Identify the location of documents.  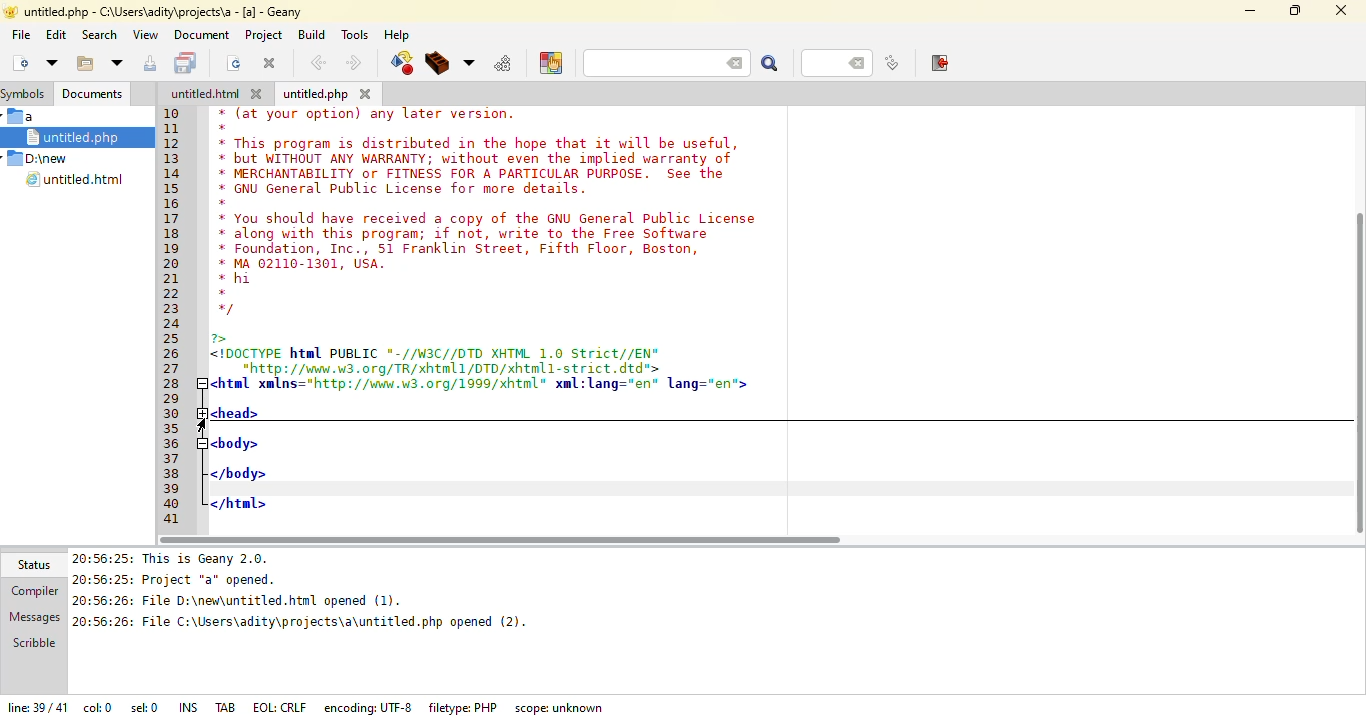
(93, 93).